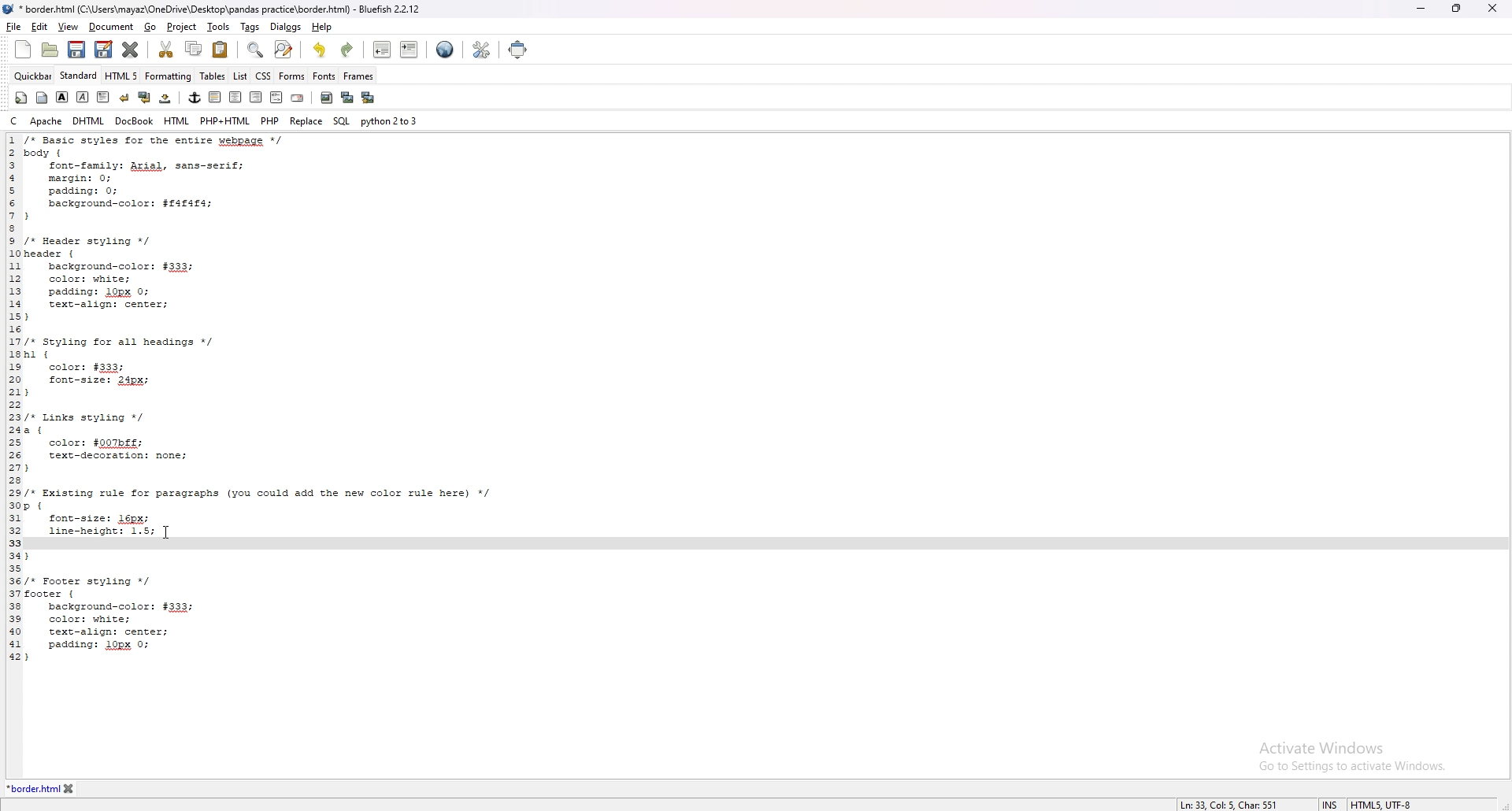  I want to click on INS, so click(1317, 798).